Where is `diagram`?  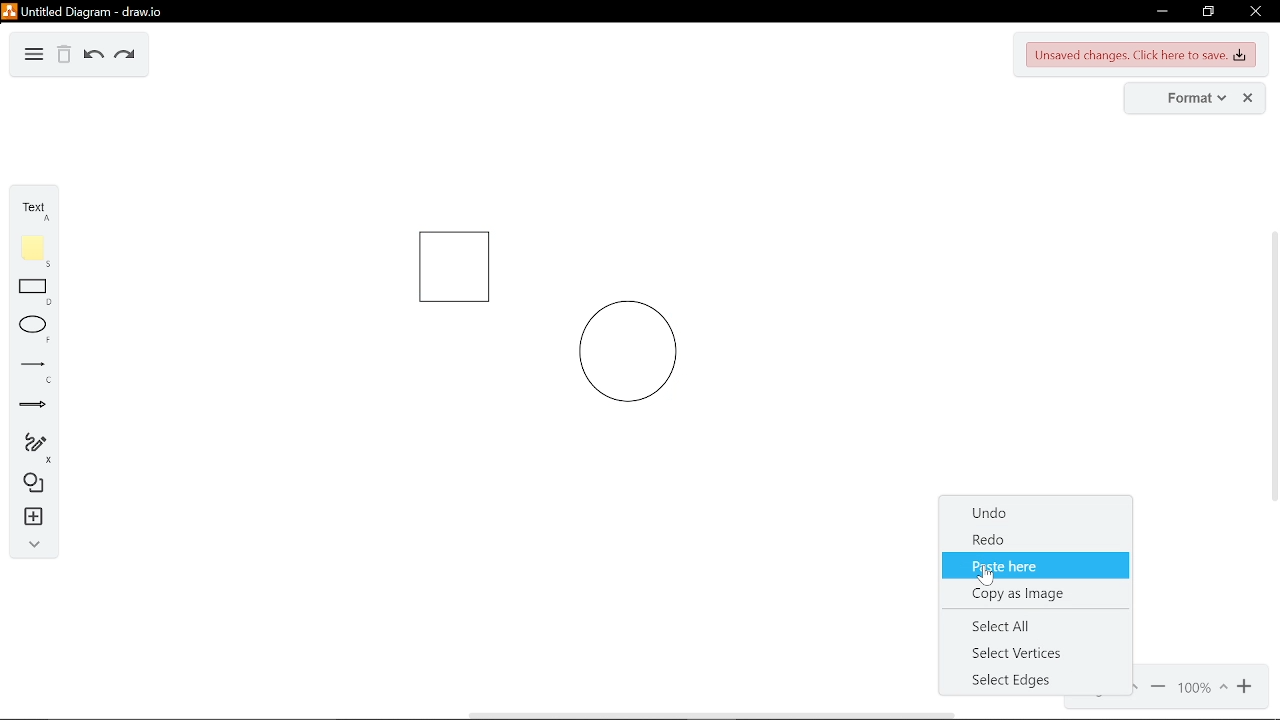
diagram is located at coordinates (34, 55).